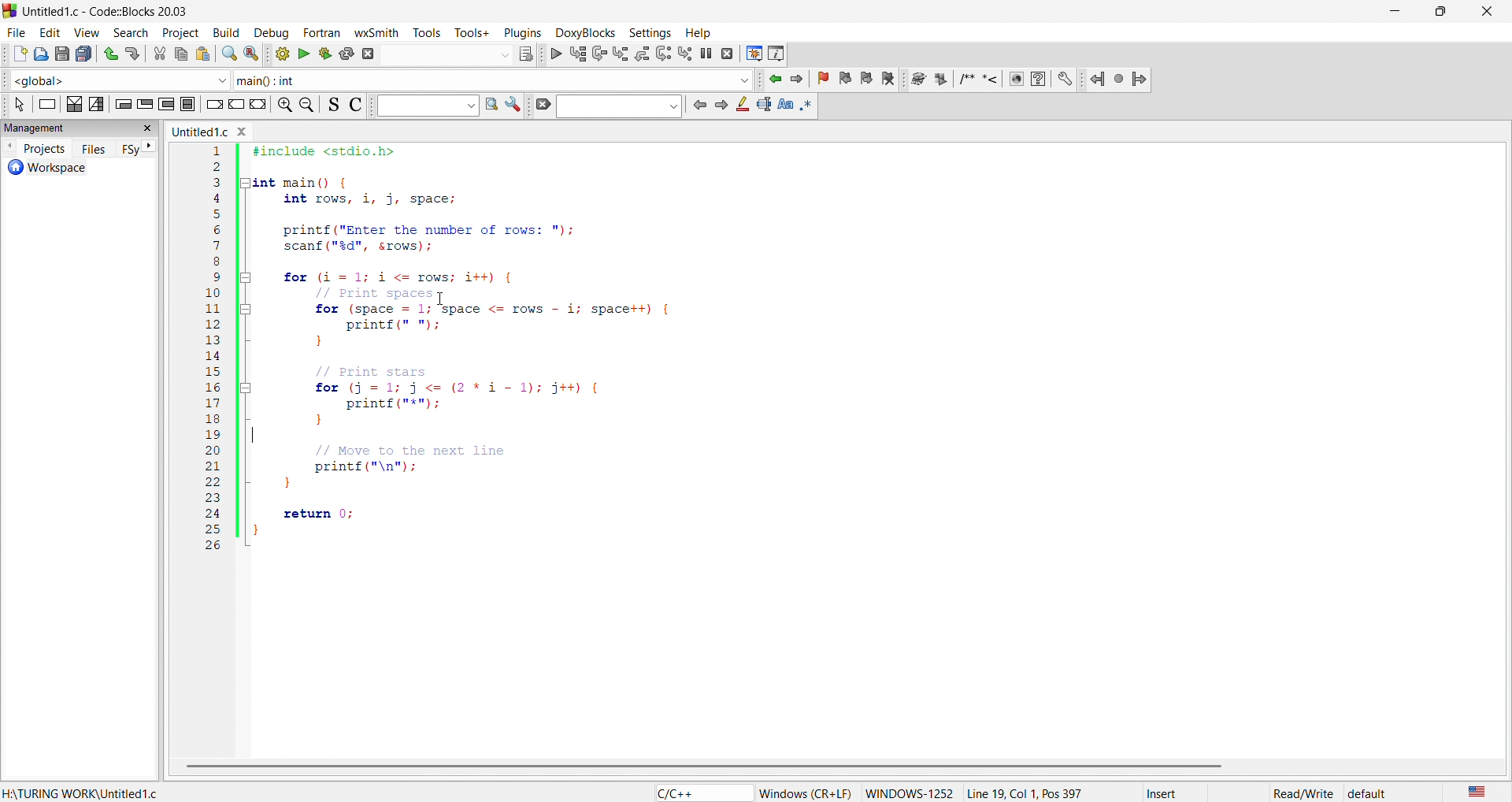 This screenshot has width=1512, height=802. I want to click on next , so click(720, 104).